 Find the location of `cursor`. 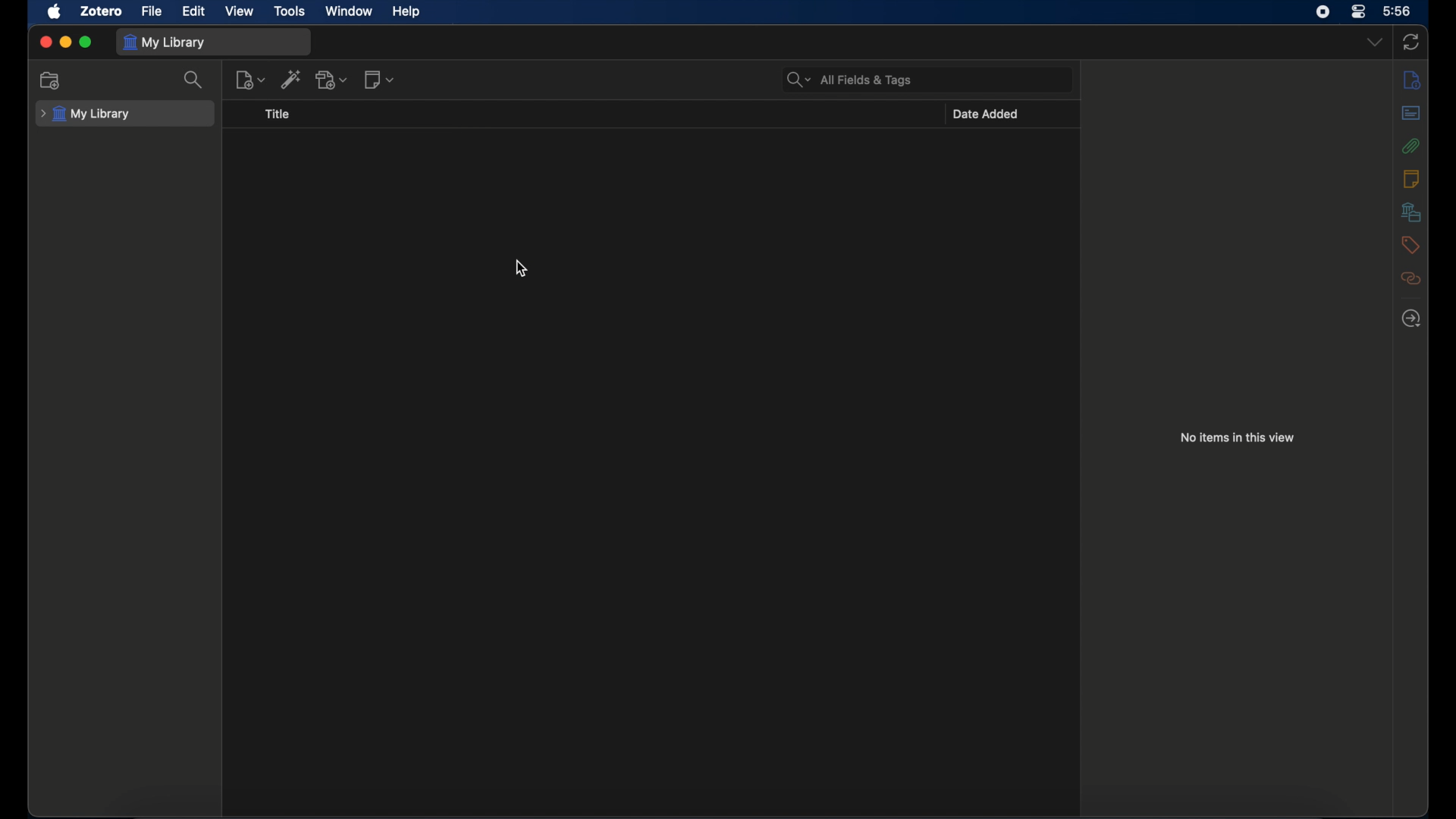

cursor is located at coordinates (522, 268).